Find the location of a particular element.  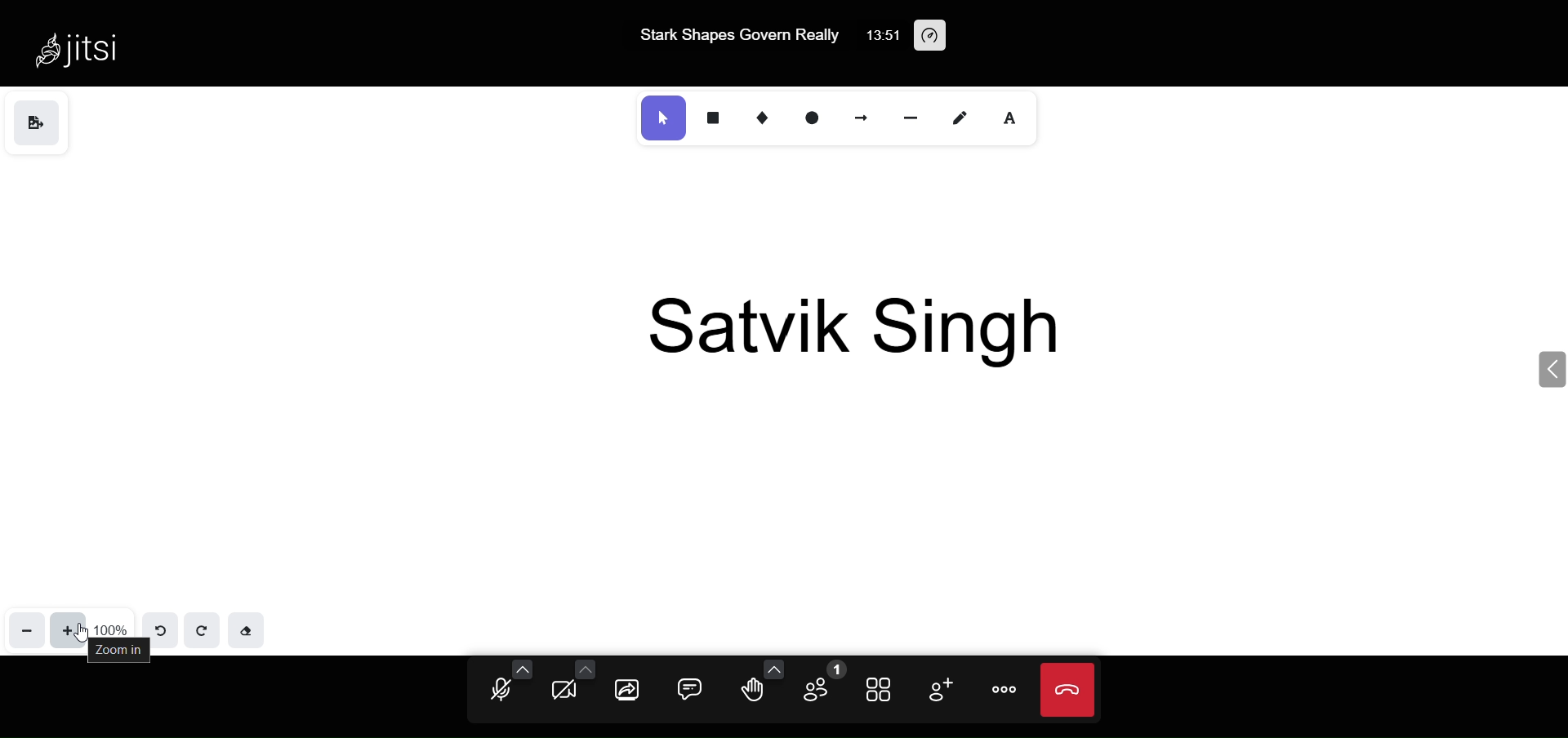

more audio option is located at coordinates (524, 669).